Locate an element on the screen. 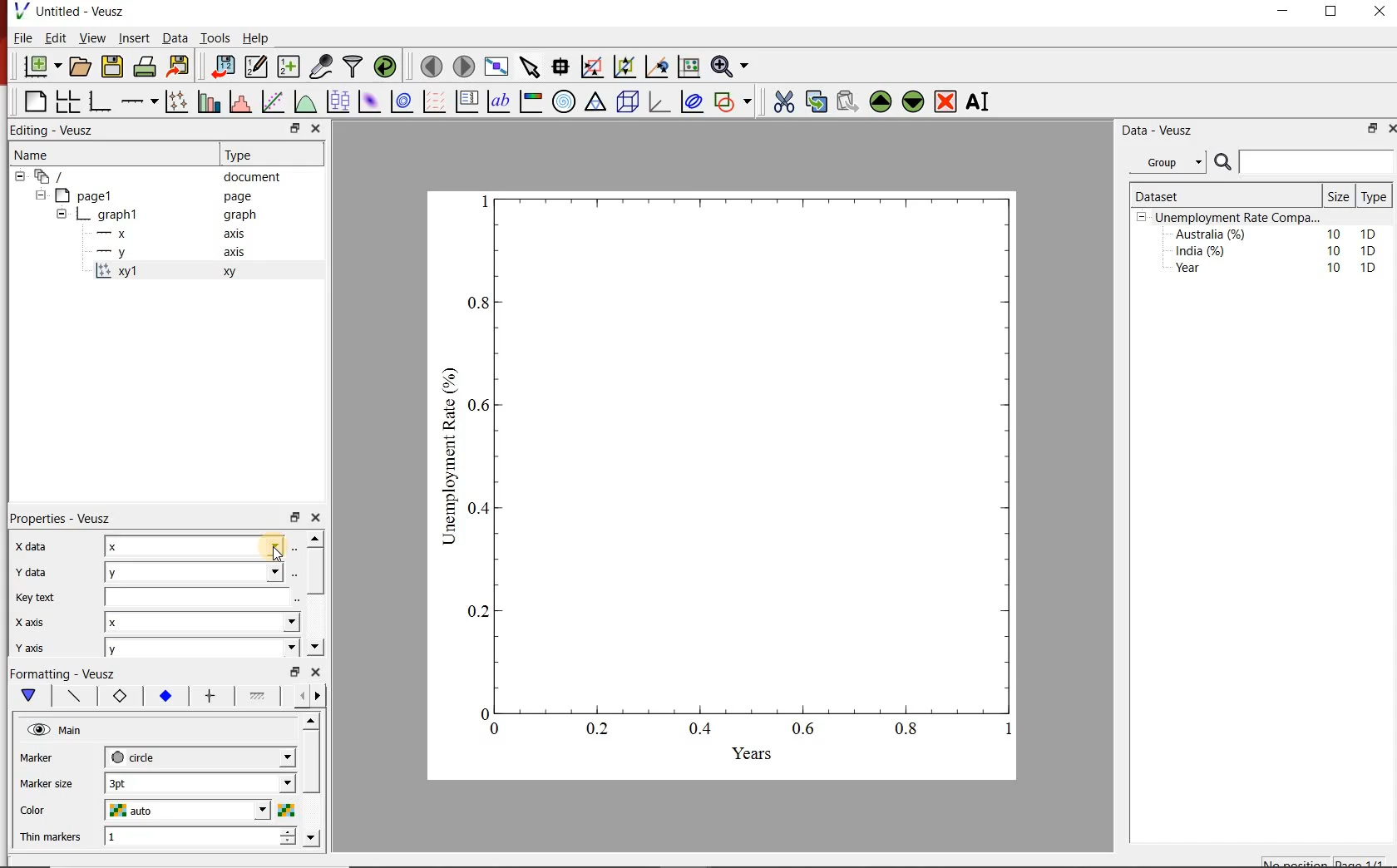 This screenshot has height=868, width=1397. 3d graphs is located at coordinates (659, 101).